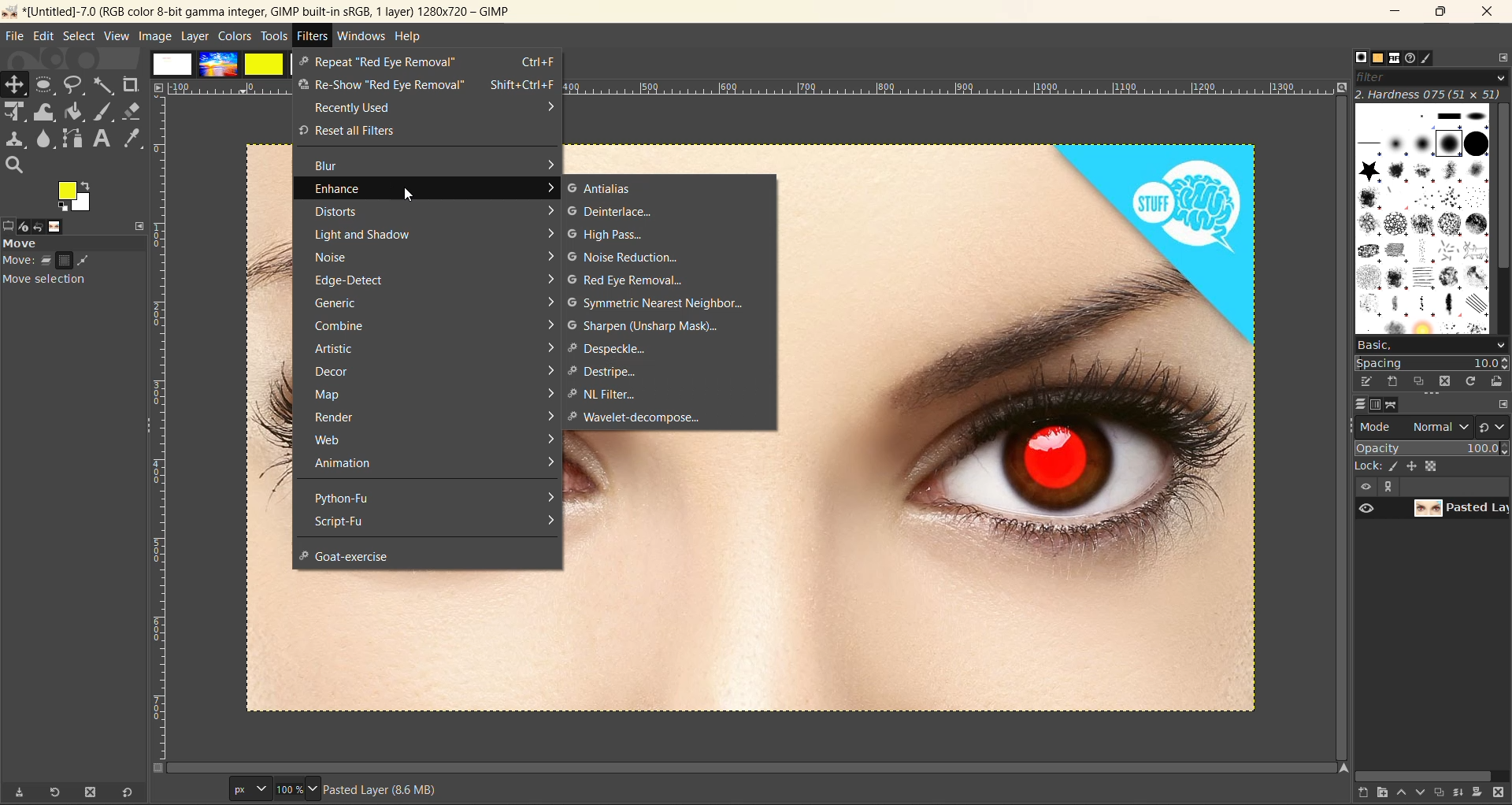 The width and height of the screenshot is (1512, 805). What do you see at coordinates (1394, 466) in the screenshot?
I see `ink` at bounding box center [1394, 466].